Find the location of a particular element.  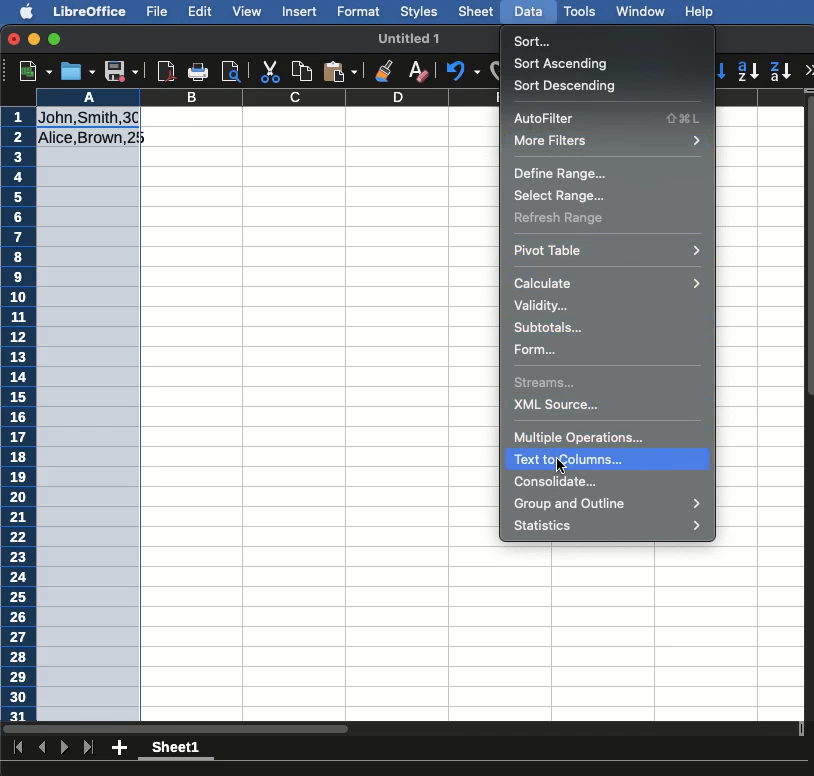

Form is located at coordinates (537, 350).